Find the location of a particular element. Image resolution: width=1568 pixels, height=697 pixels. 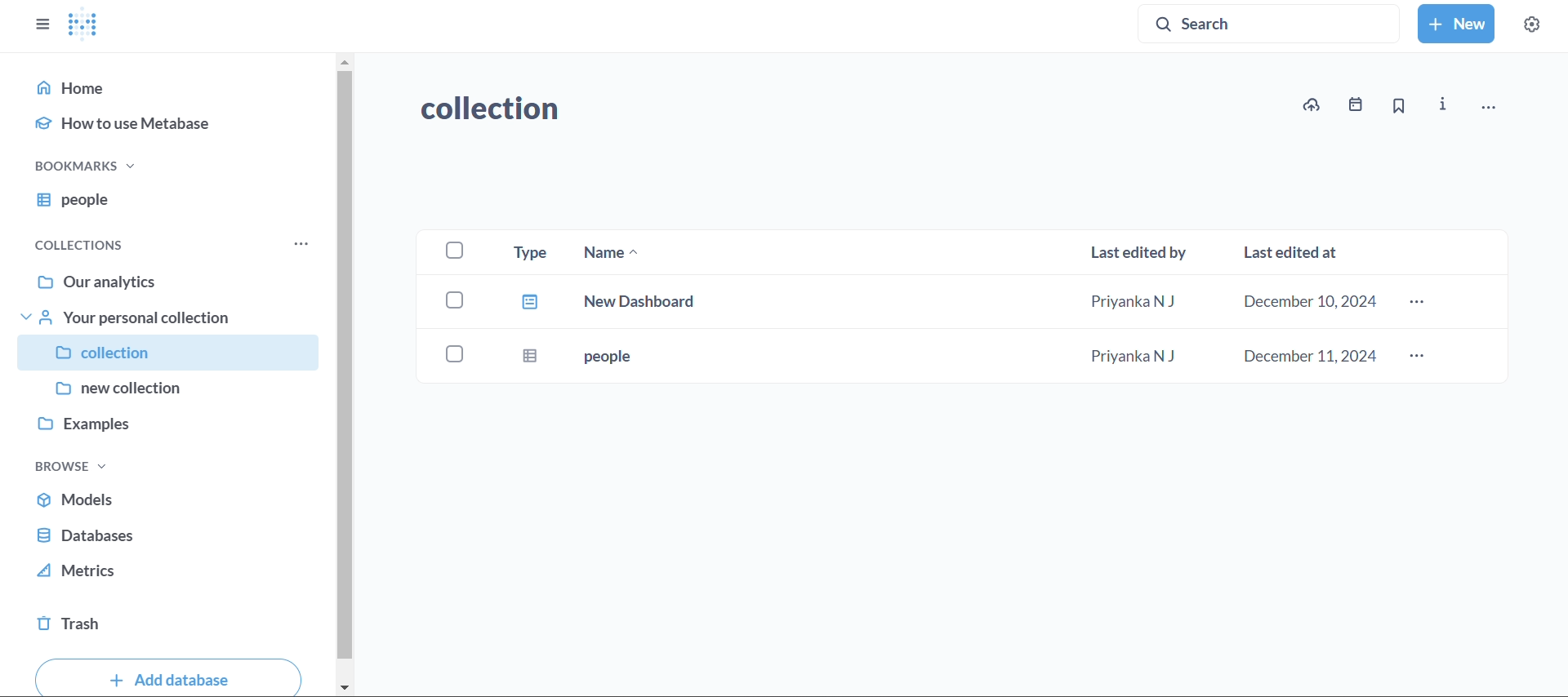

type is located at coordinates (523, 309).